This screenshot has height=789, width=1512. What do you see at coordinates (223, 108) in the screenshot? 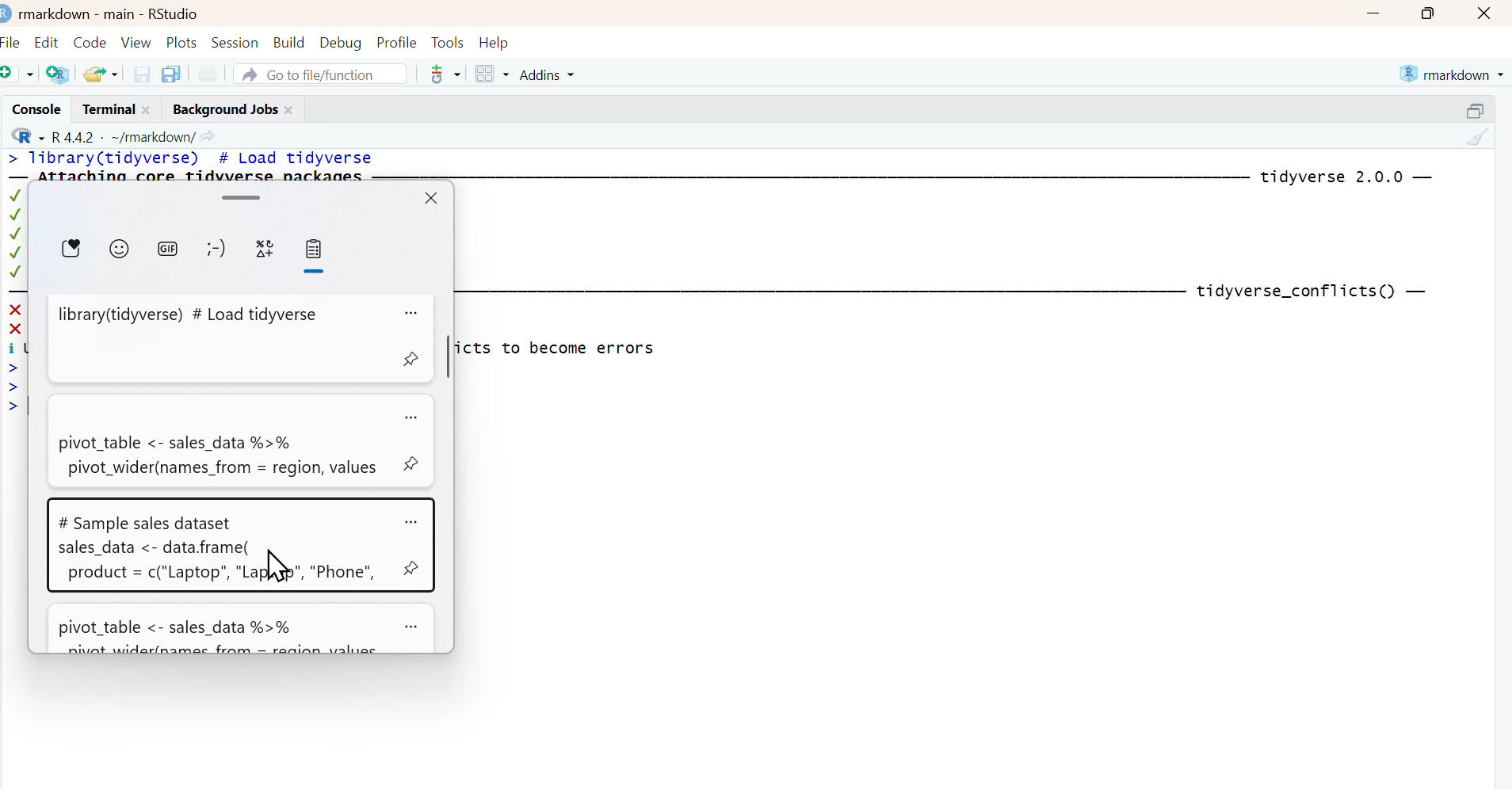
I see `Background Jobs` at bounding box center [223, 108].